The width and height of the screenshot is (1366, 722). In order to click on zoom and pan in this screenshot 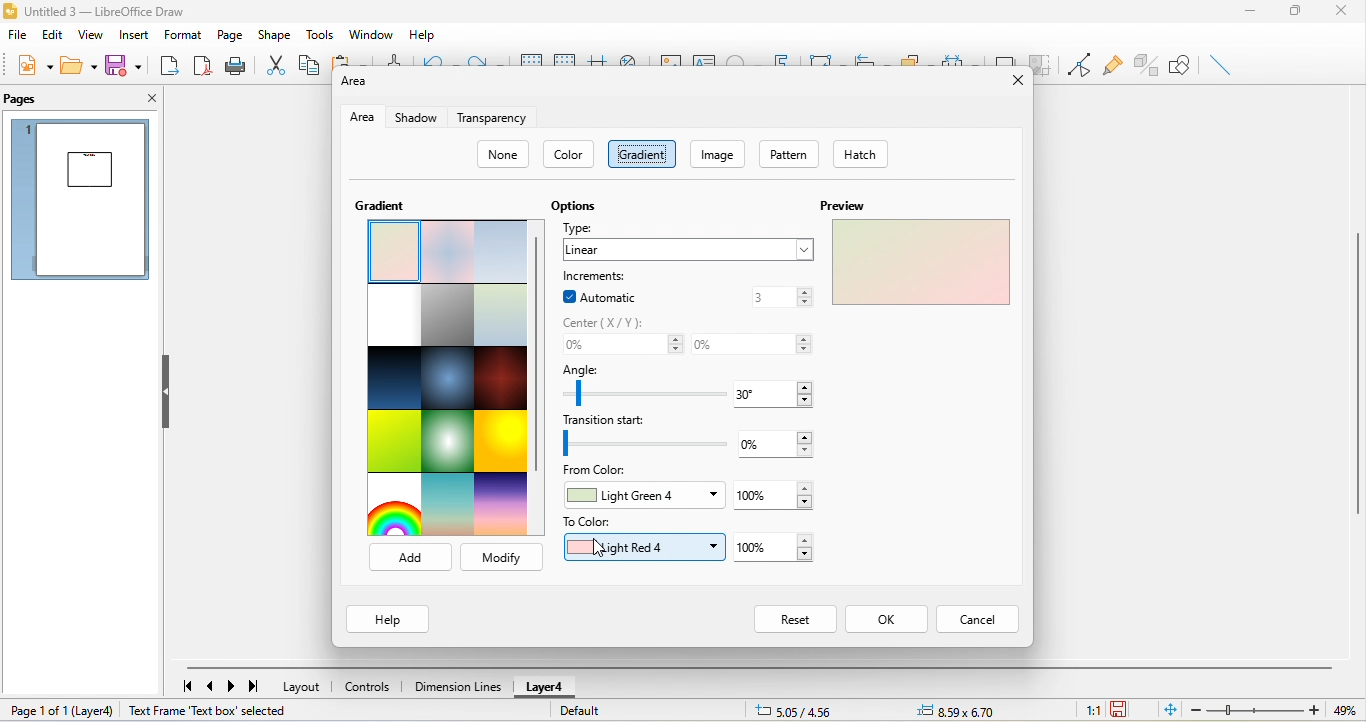, I will do `click(631, 58)`.